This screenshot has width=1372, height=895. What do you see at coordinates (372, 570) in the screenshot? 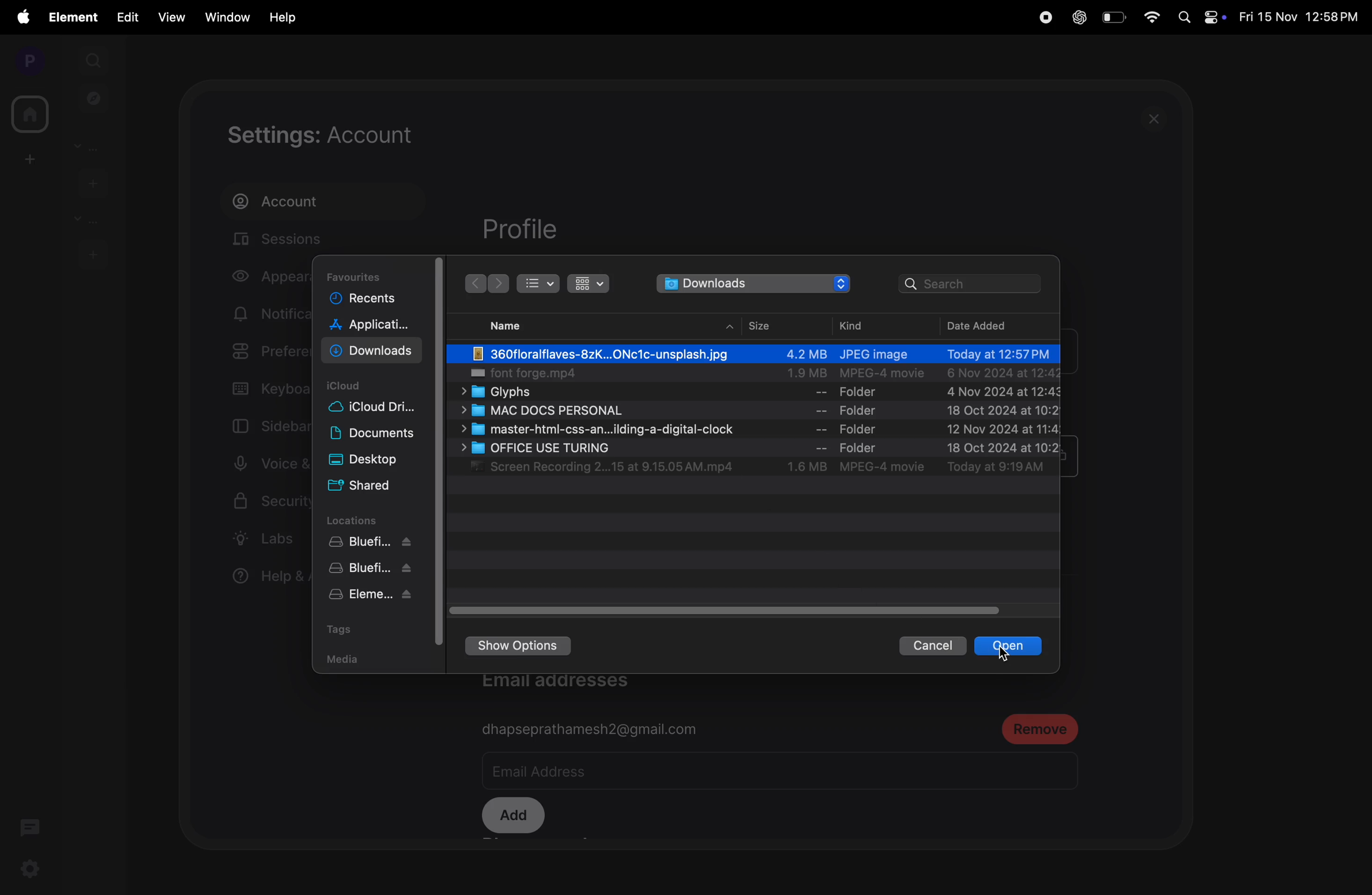
I see `bluefish apk` at bounding box center [372, 570].